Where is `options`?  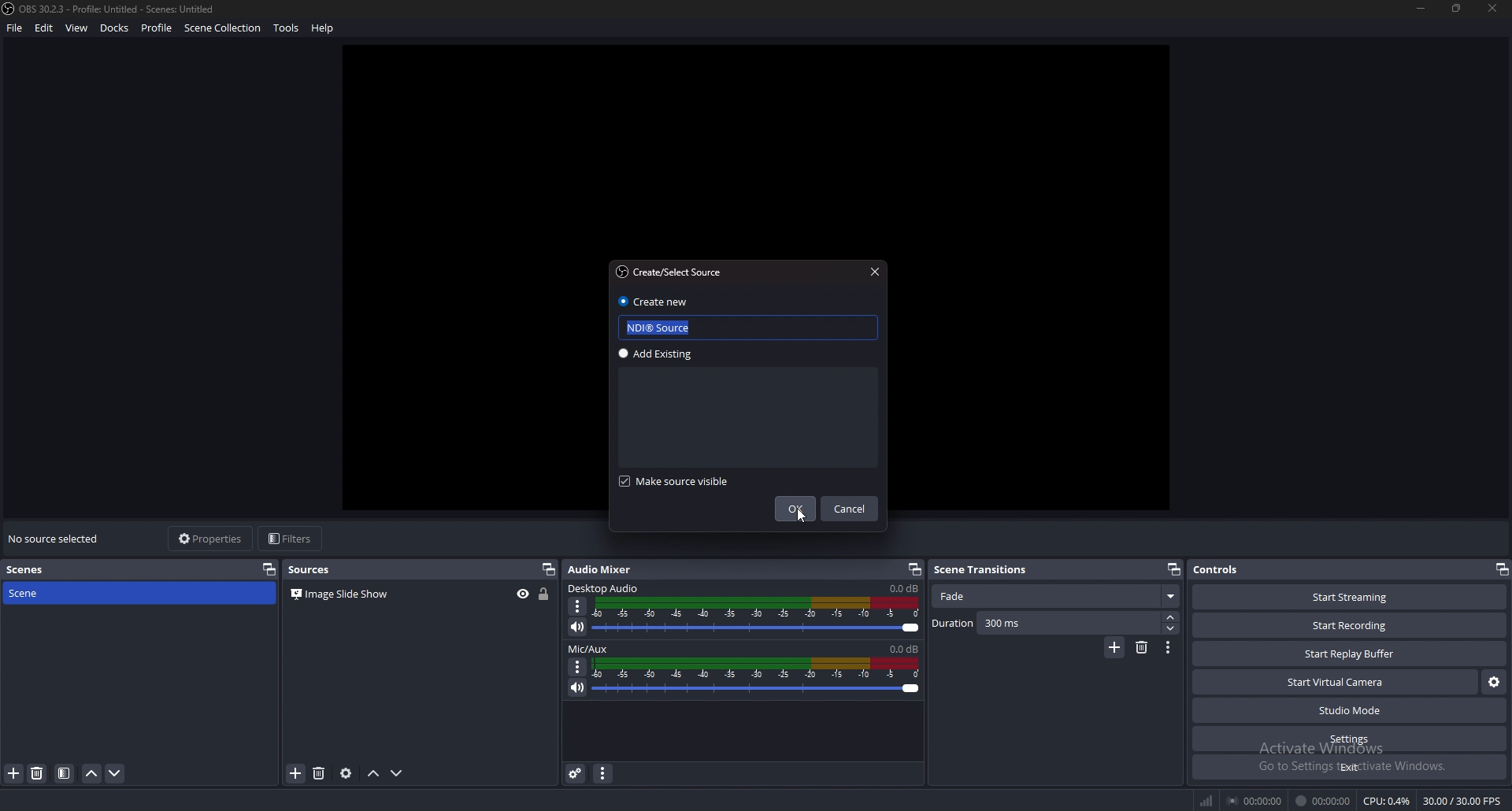 options is located at coordinates (577, 606).